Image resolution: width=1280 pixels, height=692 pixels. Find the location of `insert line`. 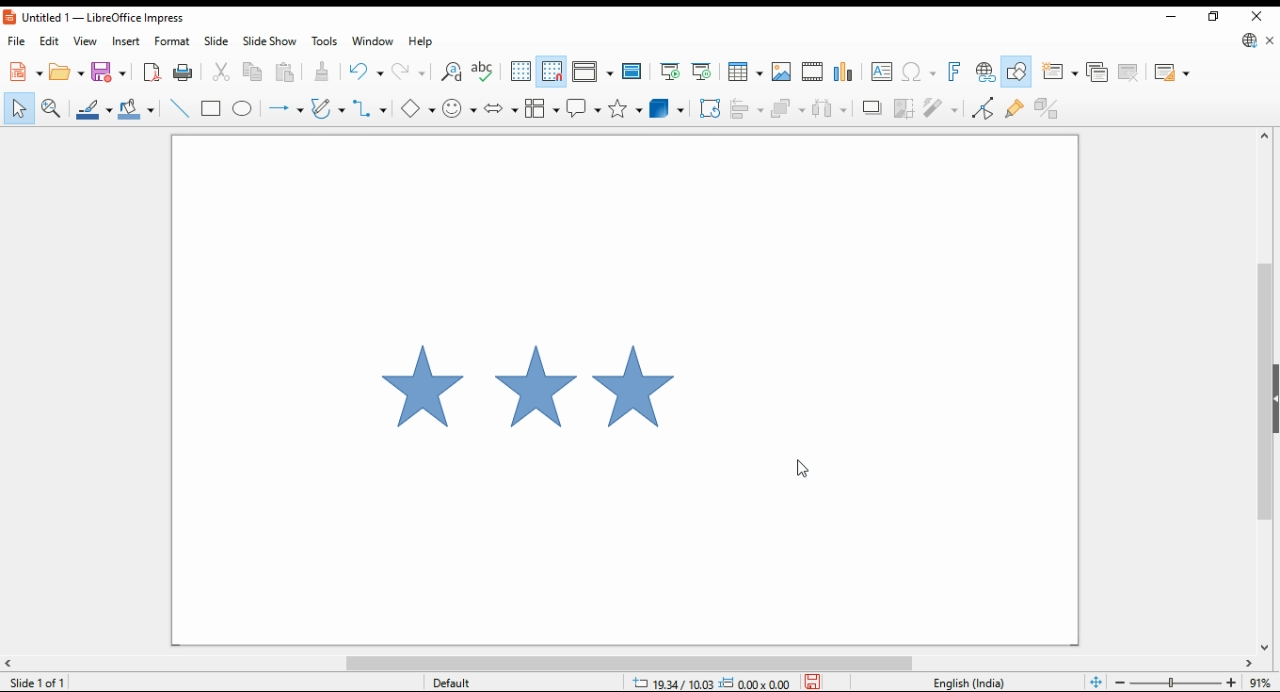

insert line is located at coordinates (179, 109).